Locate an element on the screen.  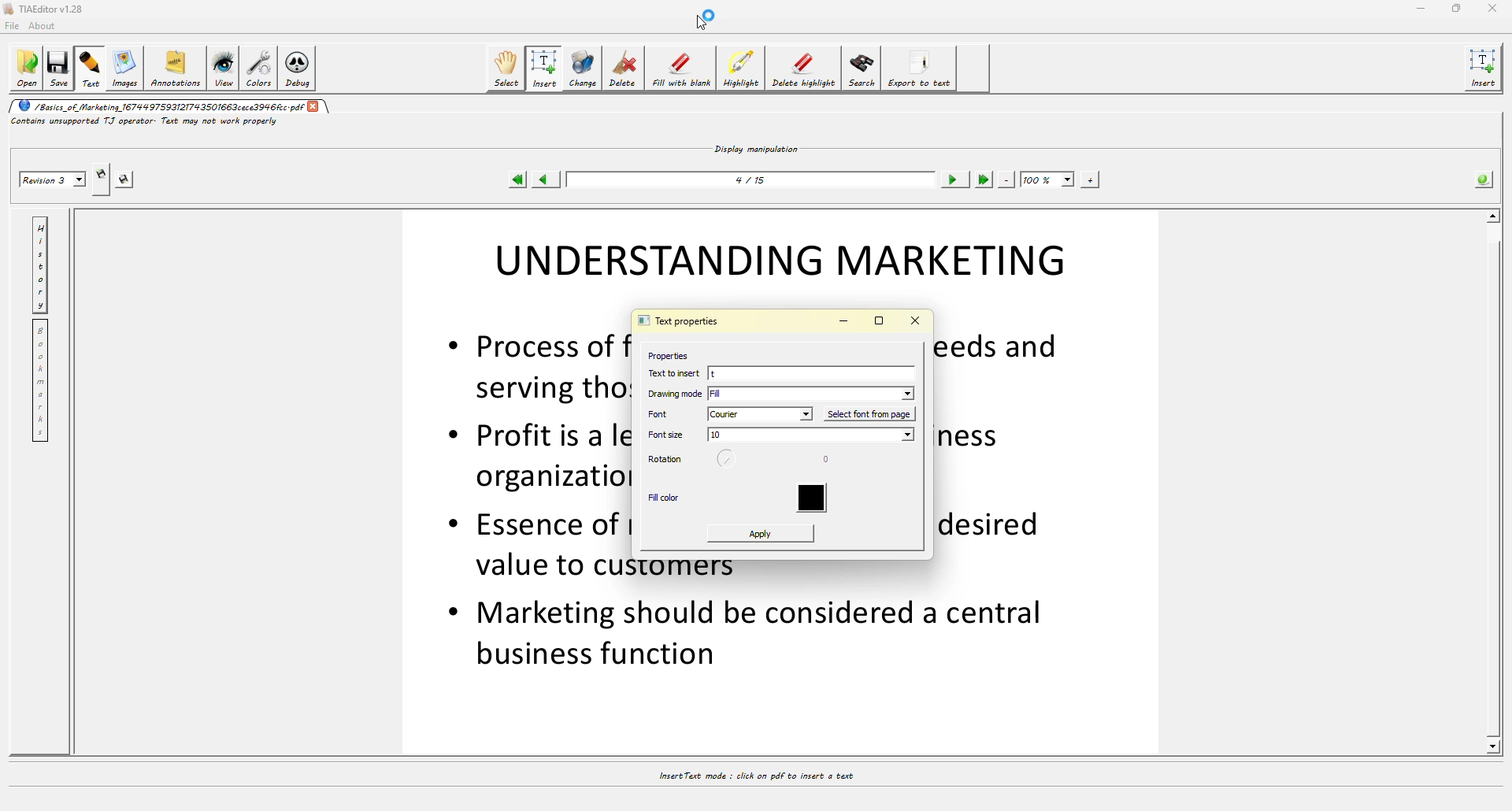
TIAEditor v1.28 is located at coordinates (49, 9).